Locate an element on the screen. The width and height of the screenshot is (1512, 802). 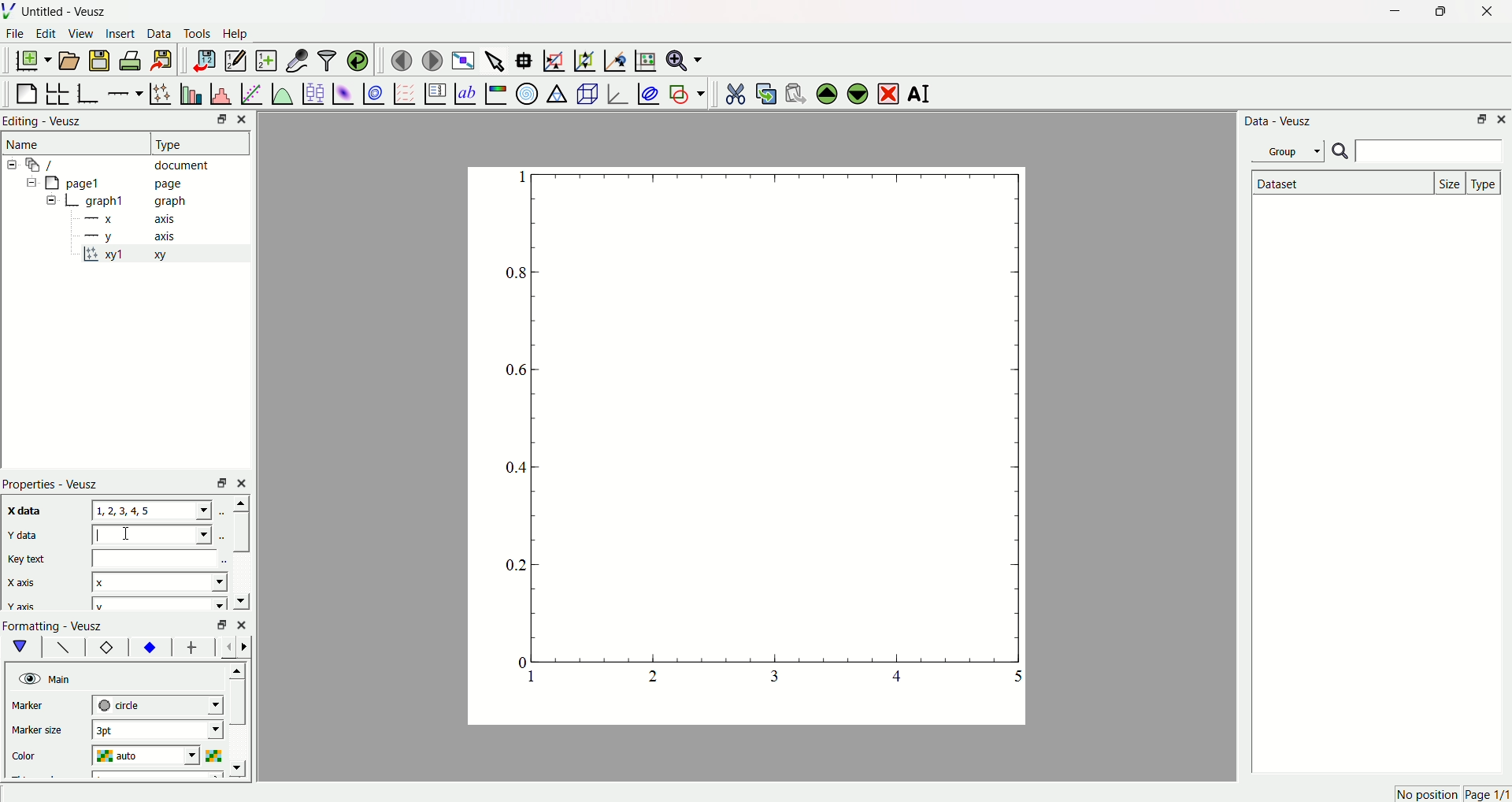
Insert is located at coordinates (120, 35).